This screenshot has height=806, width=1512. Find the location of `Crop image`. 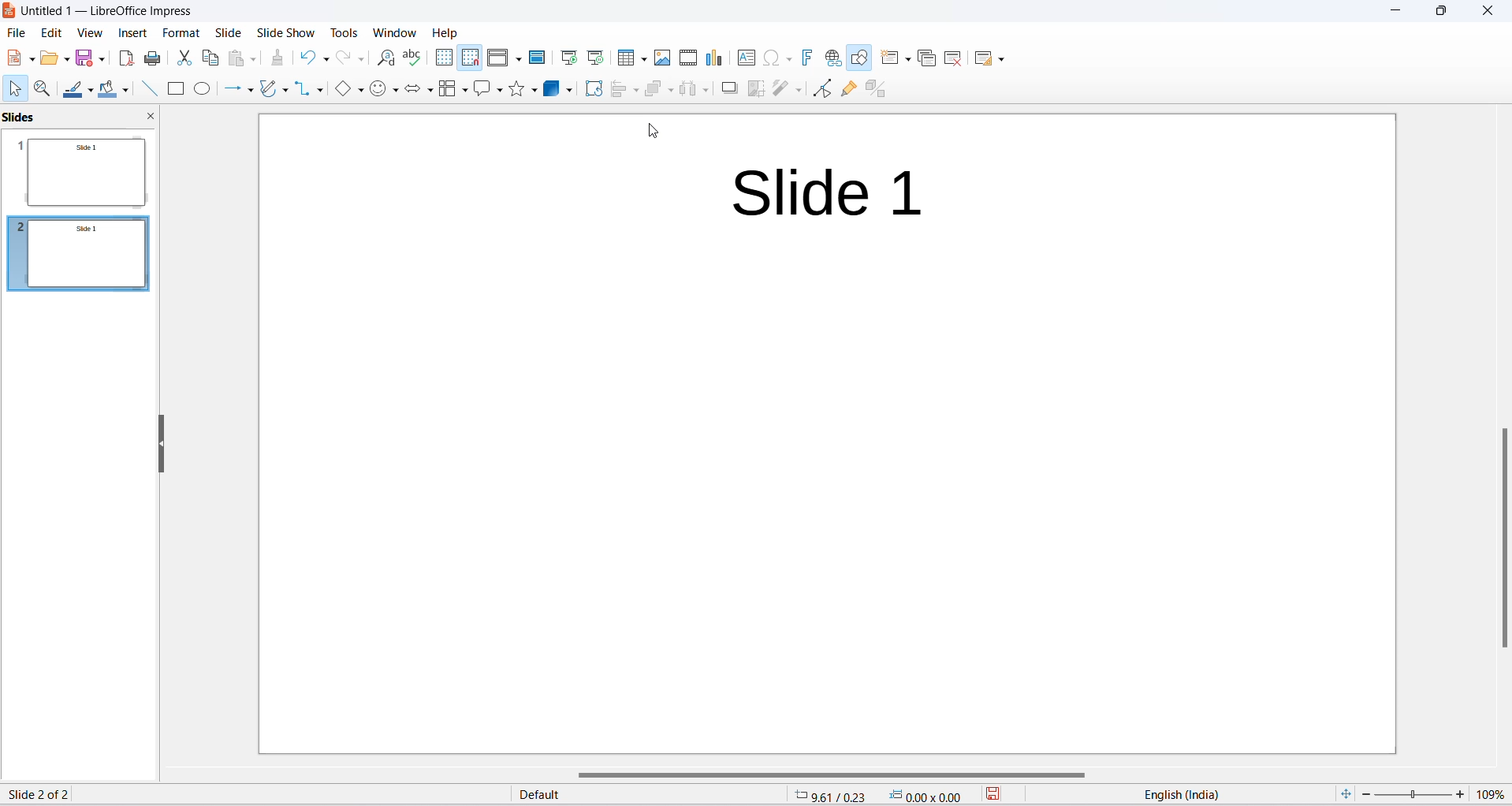

Crop image is located at coordinates (753, 91).